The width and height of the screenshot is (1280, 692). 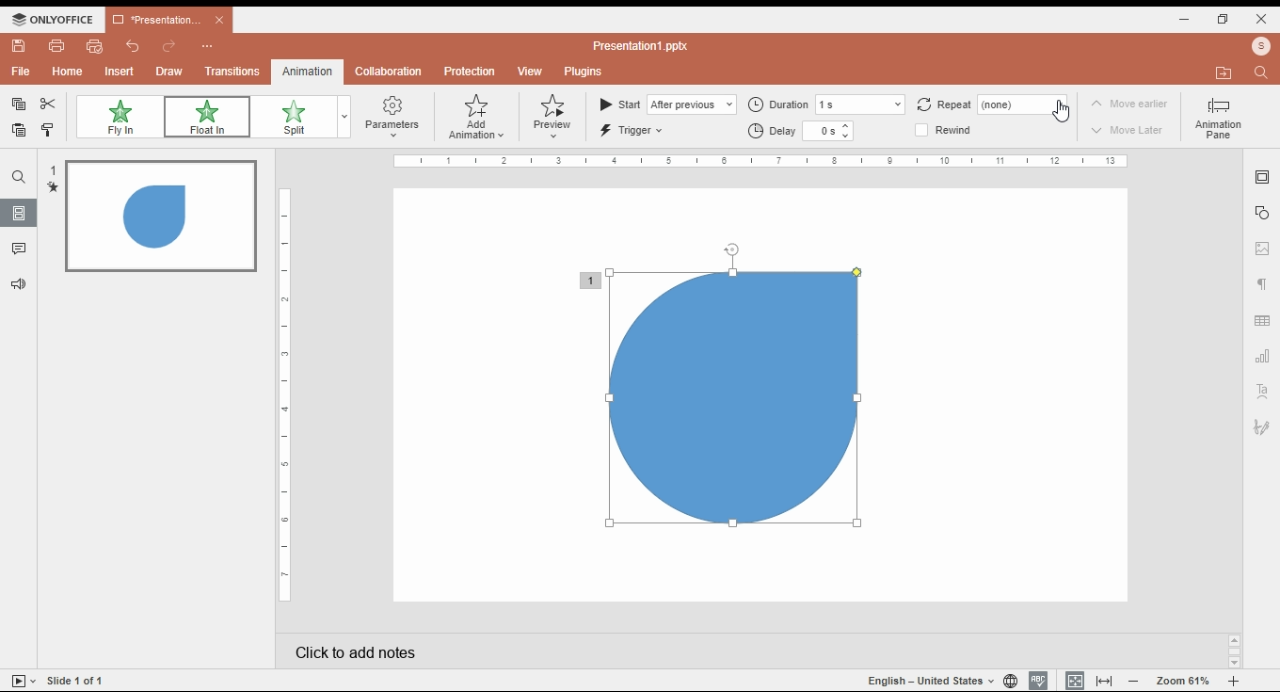 I want to click on start, so click(x=667, y=104).